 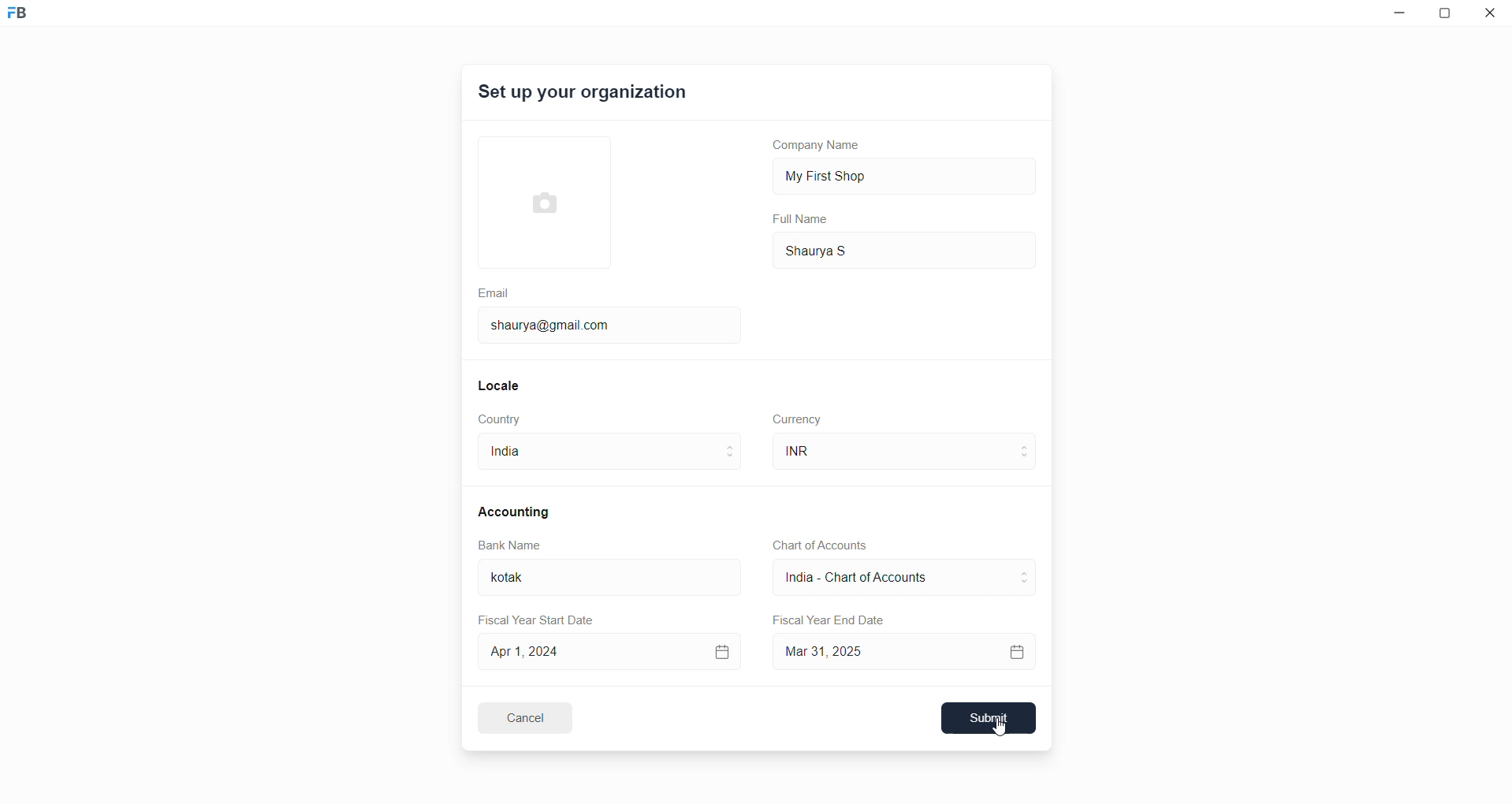 What do you see at coordinates (802, 219) in the screenshot?
I see `Full Name` at bounding box center [802, 219].